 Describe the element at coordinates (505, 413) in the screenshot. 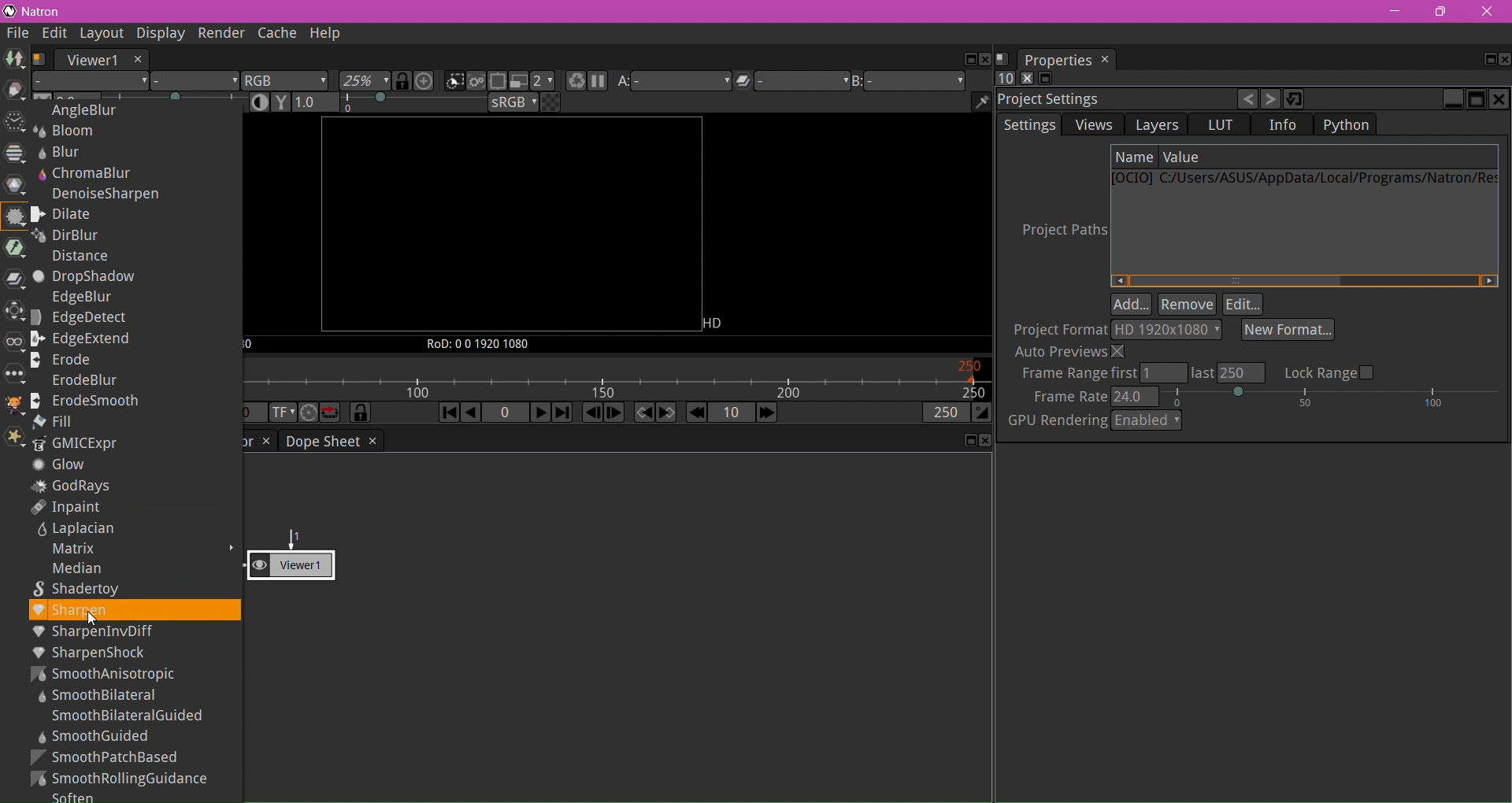

I see `Current Farme Number` at that location.